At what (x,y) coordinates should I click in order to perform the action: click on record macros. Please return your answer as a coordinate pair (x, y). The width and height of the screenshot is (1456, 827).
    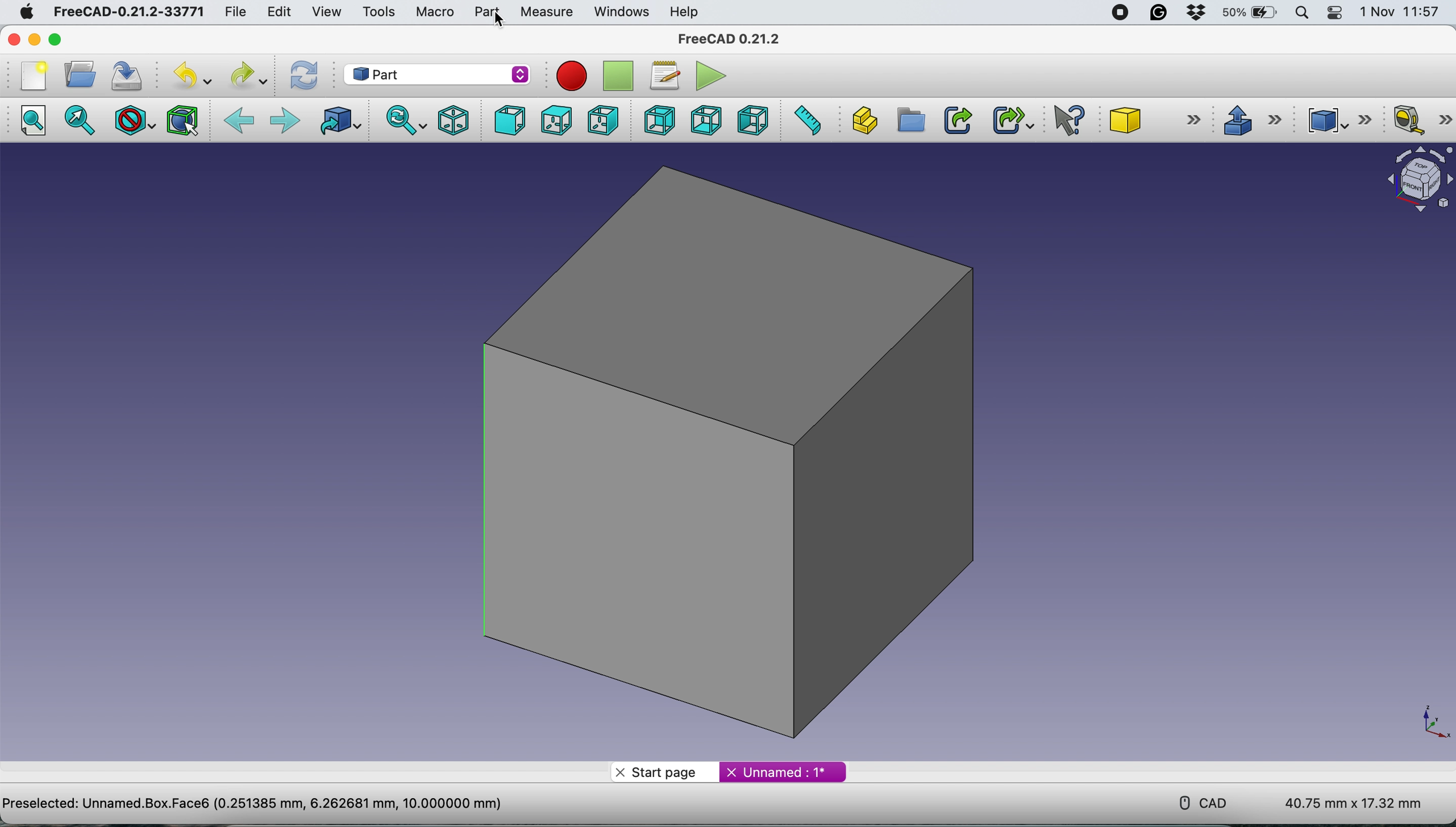
    Looking at the image, I should click on (575, 76).